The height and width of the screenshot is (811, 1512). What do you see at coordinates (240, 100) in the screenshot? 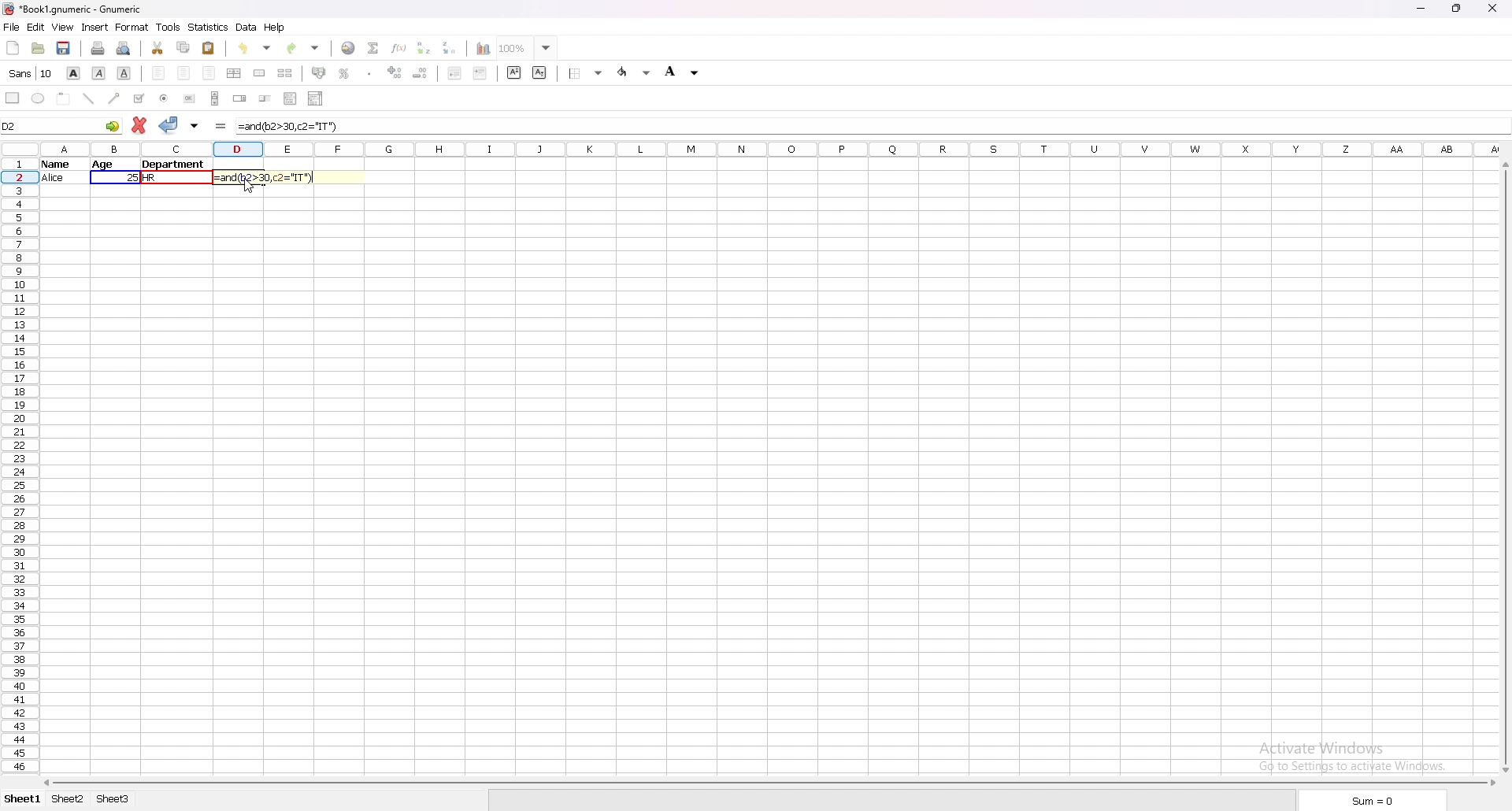
I see `spin button` at bounding box center [240, 100].